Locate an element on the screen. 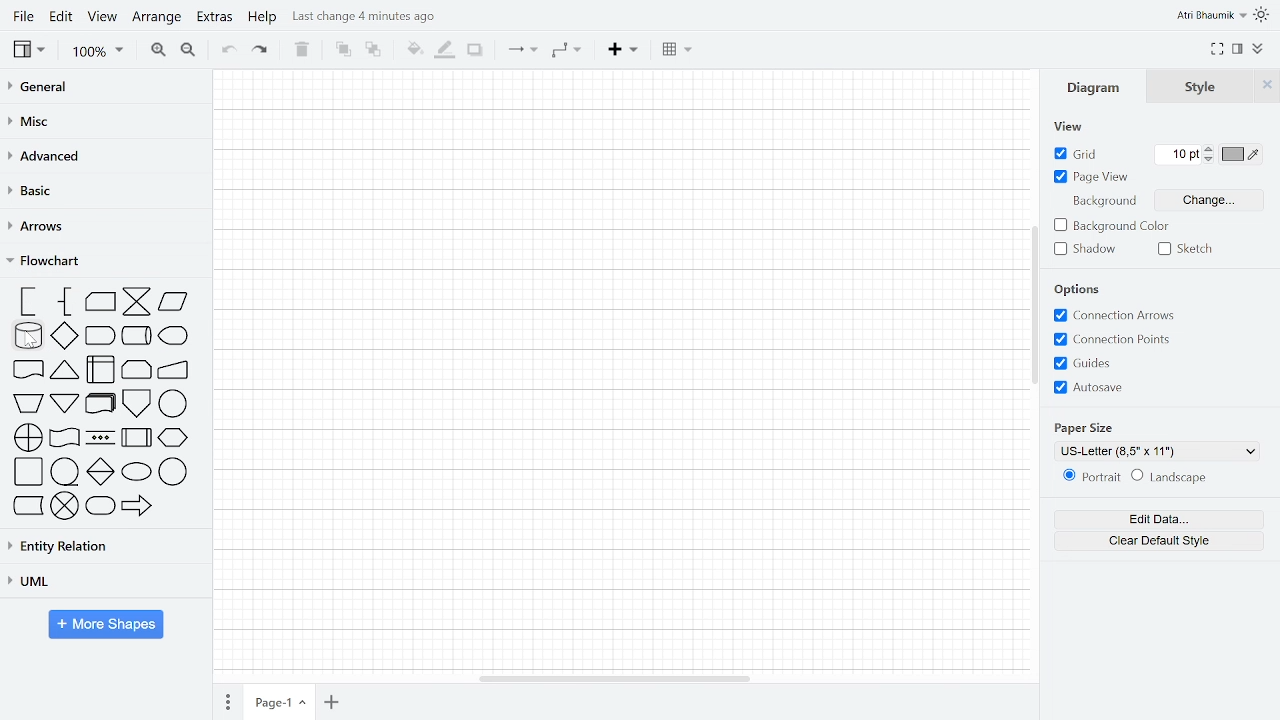 The height and width of the screenshot is (720, 1280). view is located at coordinates (1072, 128).